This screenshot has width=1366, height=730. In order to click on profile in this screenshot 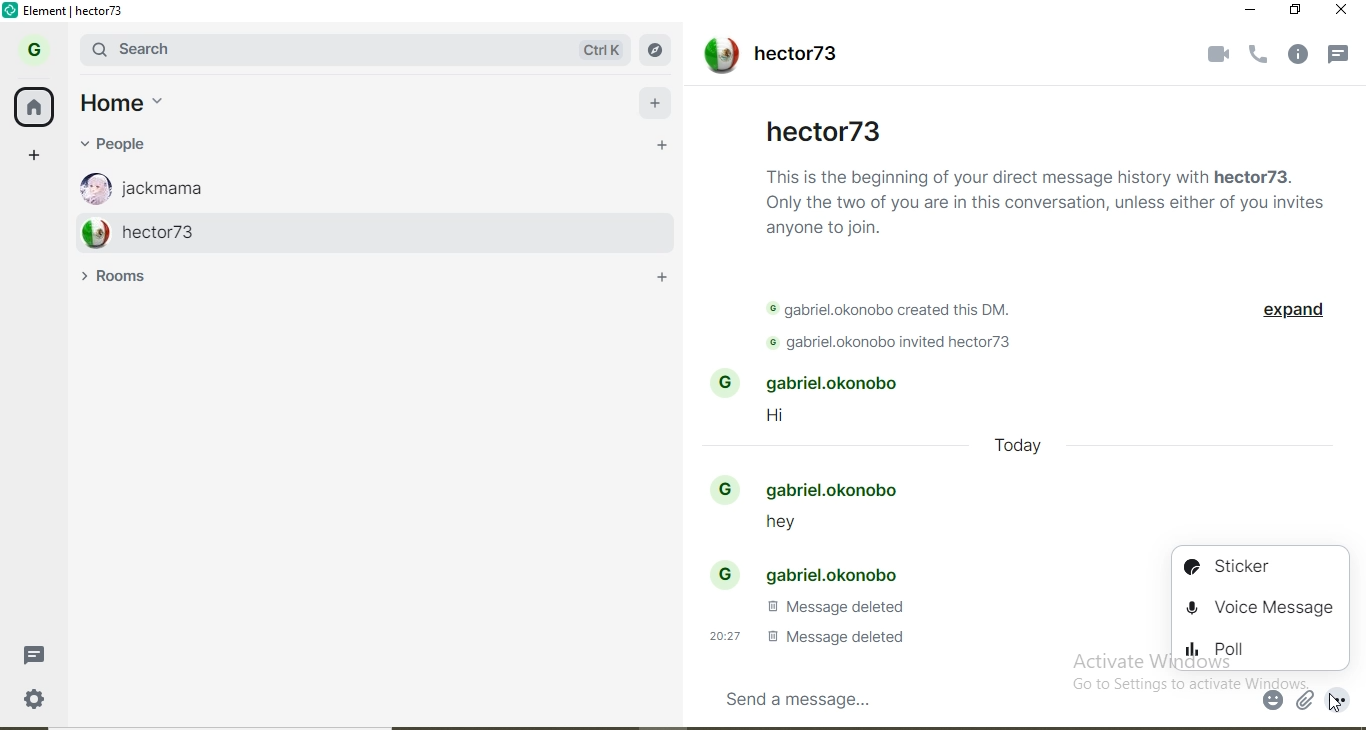, I will do `click(39, 47)`.